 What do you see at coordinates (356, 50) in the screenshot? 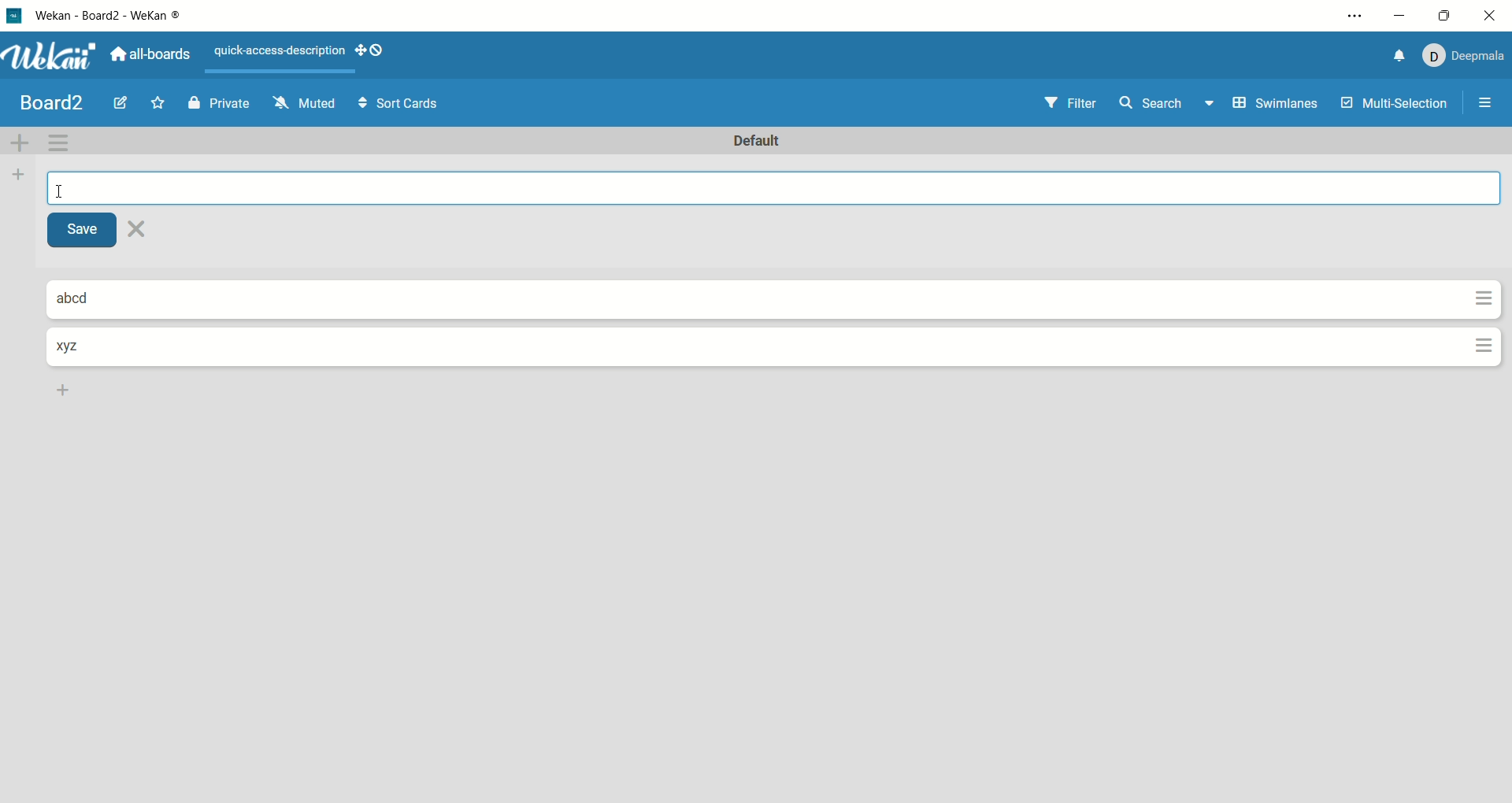
I see `show-desktp-drag-handles` at bounding box center [356, 50].